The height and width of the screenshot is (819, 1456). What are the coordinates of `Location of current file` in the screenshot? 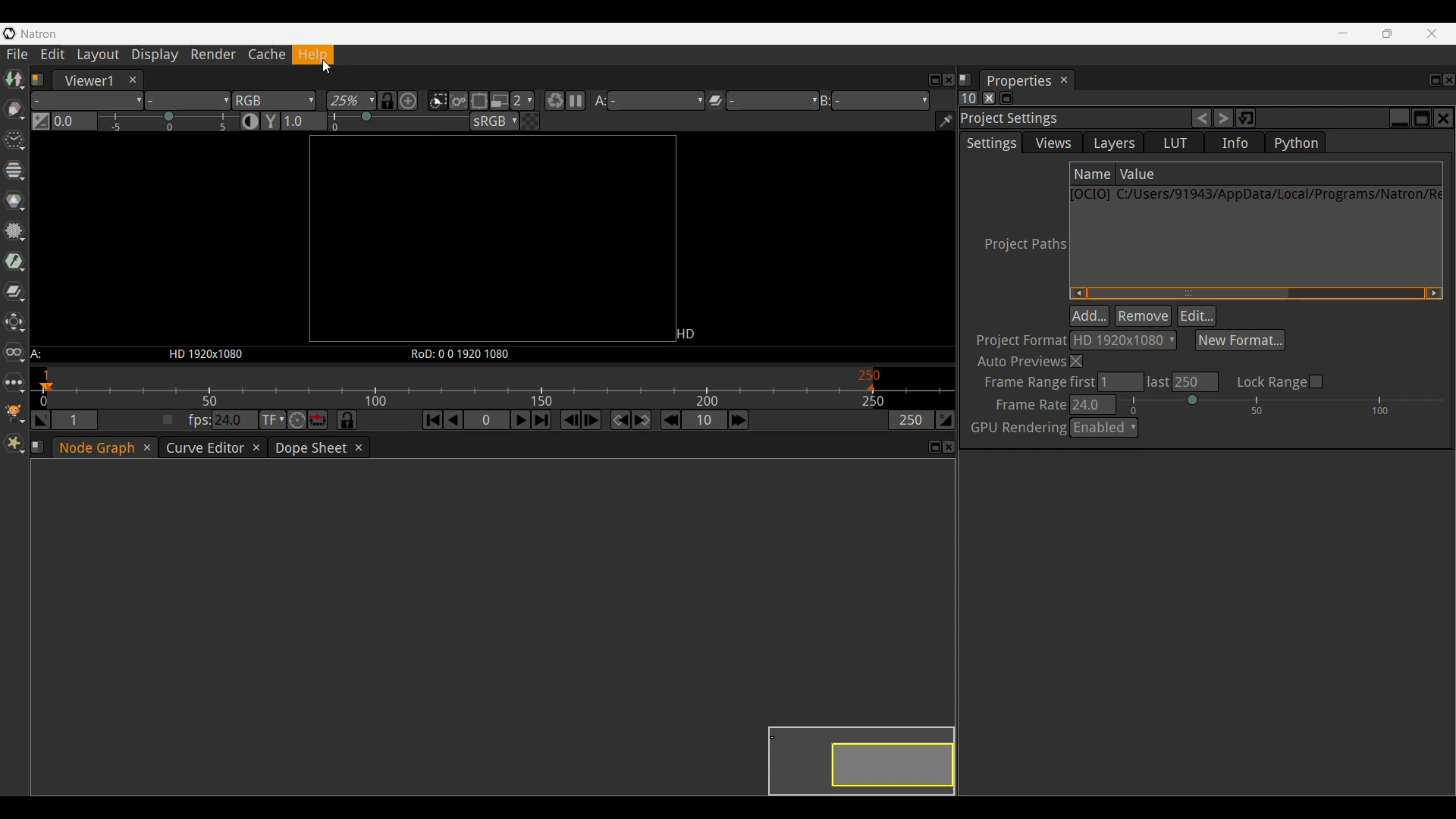 It's located at (1279, 194).